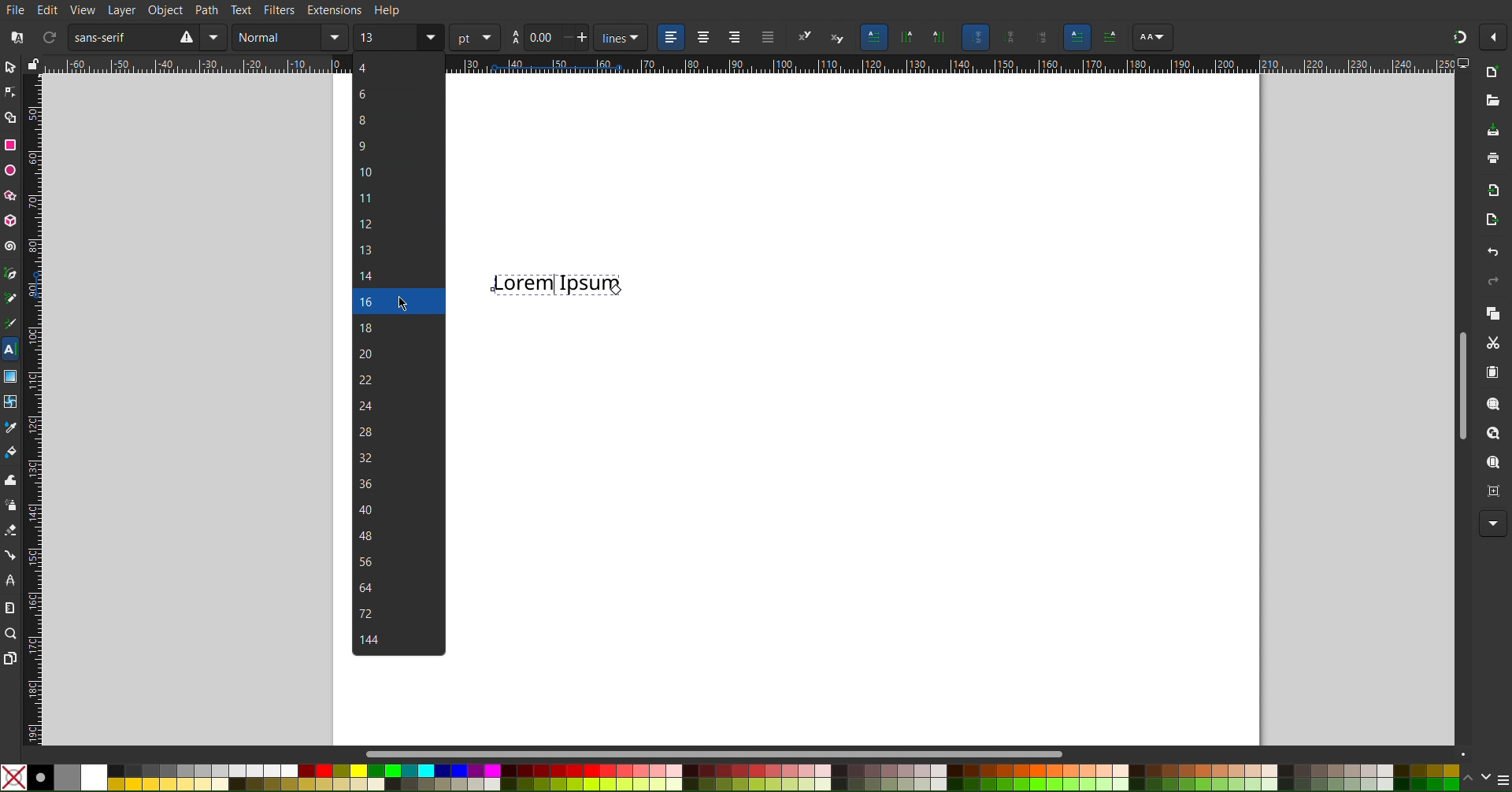 The width and height of the screenshot is (1512, 792). Describe the element at coordinates (1490, 489) in the screenshot. I see `Zoom Center Page` at that location.